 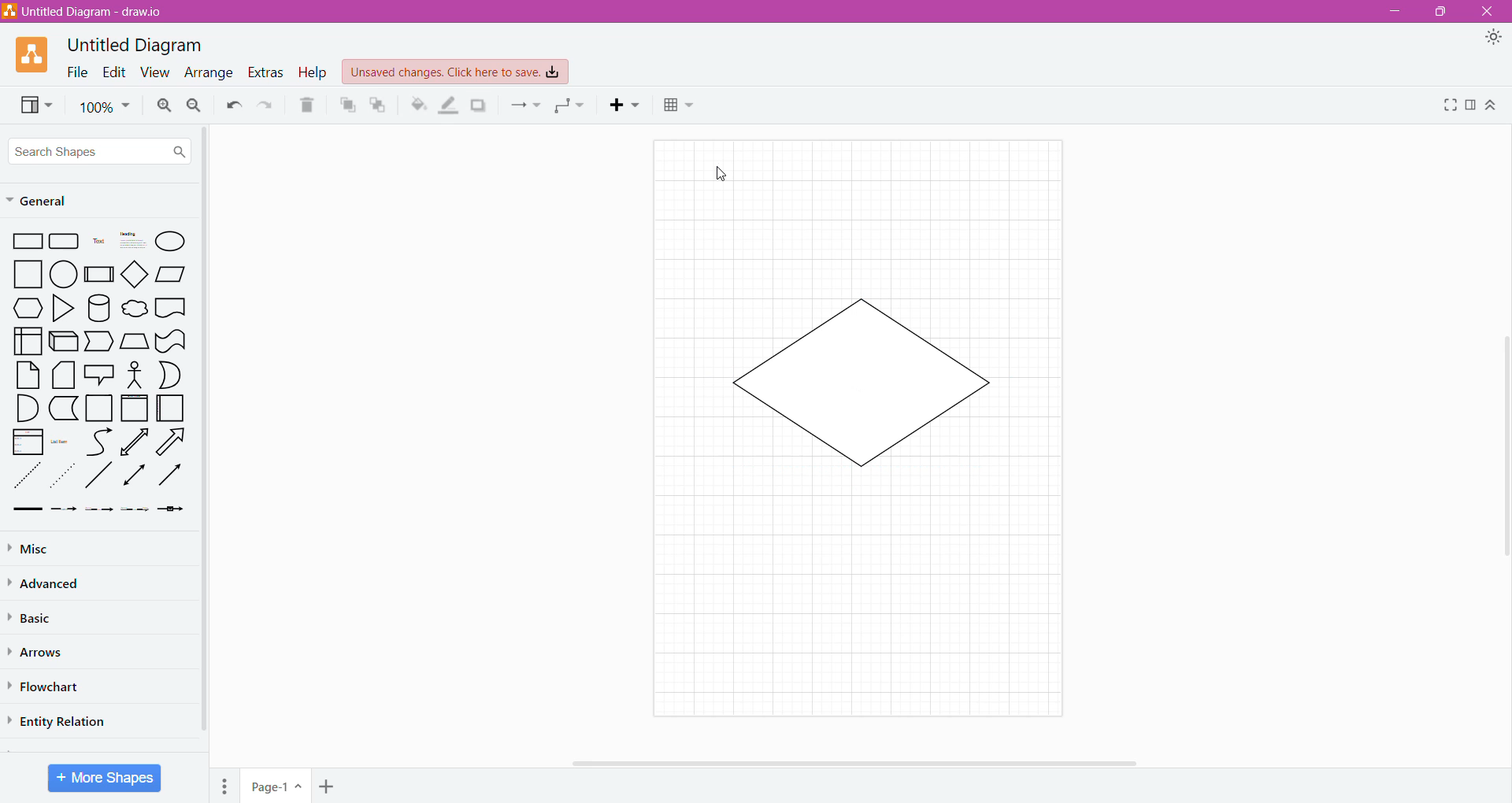 I want to click on Cursor AFTER_LAST_ACTION, so click(x=721, y=174).